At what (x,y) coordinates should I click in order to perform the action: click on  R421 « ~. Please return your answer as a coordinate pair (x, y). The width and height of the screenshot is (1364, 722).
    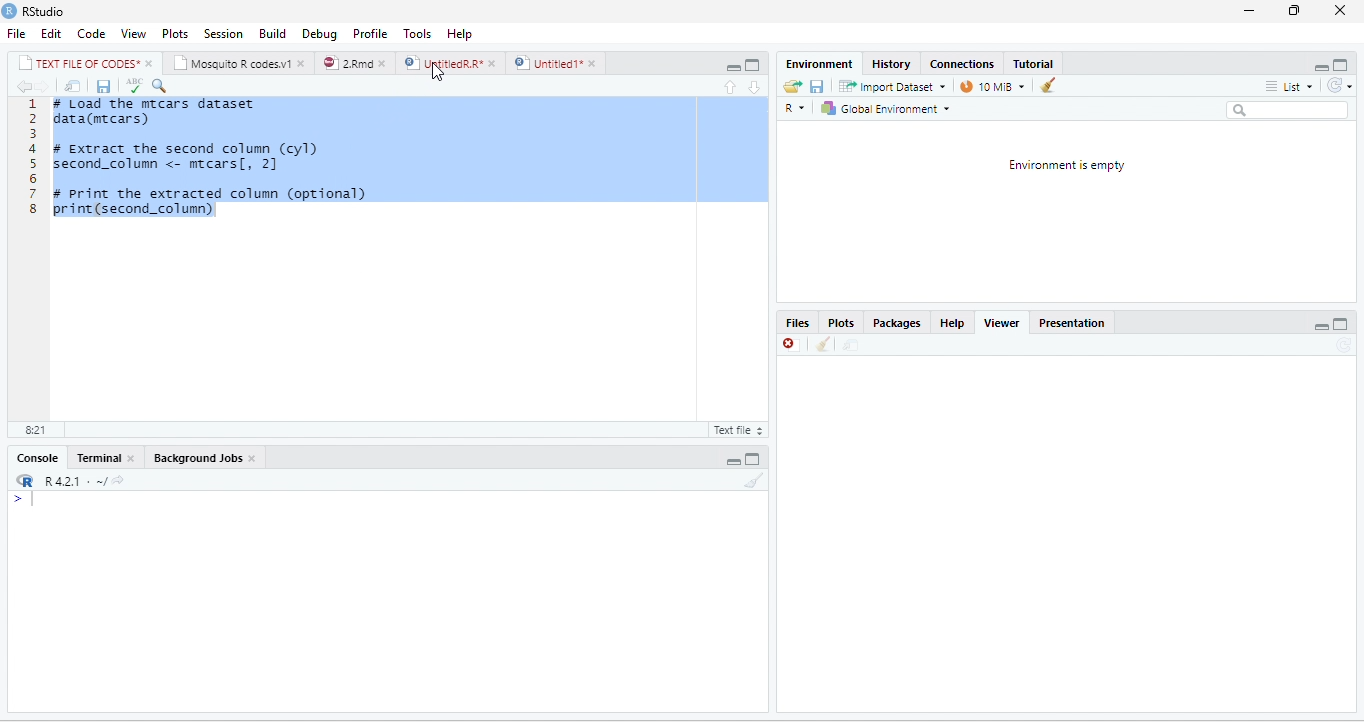
    Looking at the image, I should click on (66, 478).